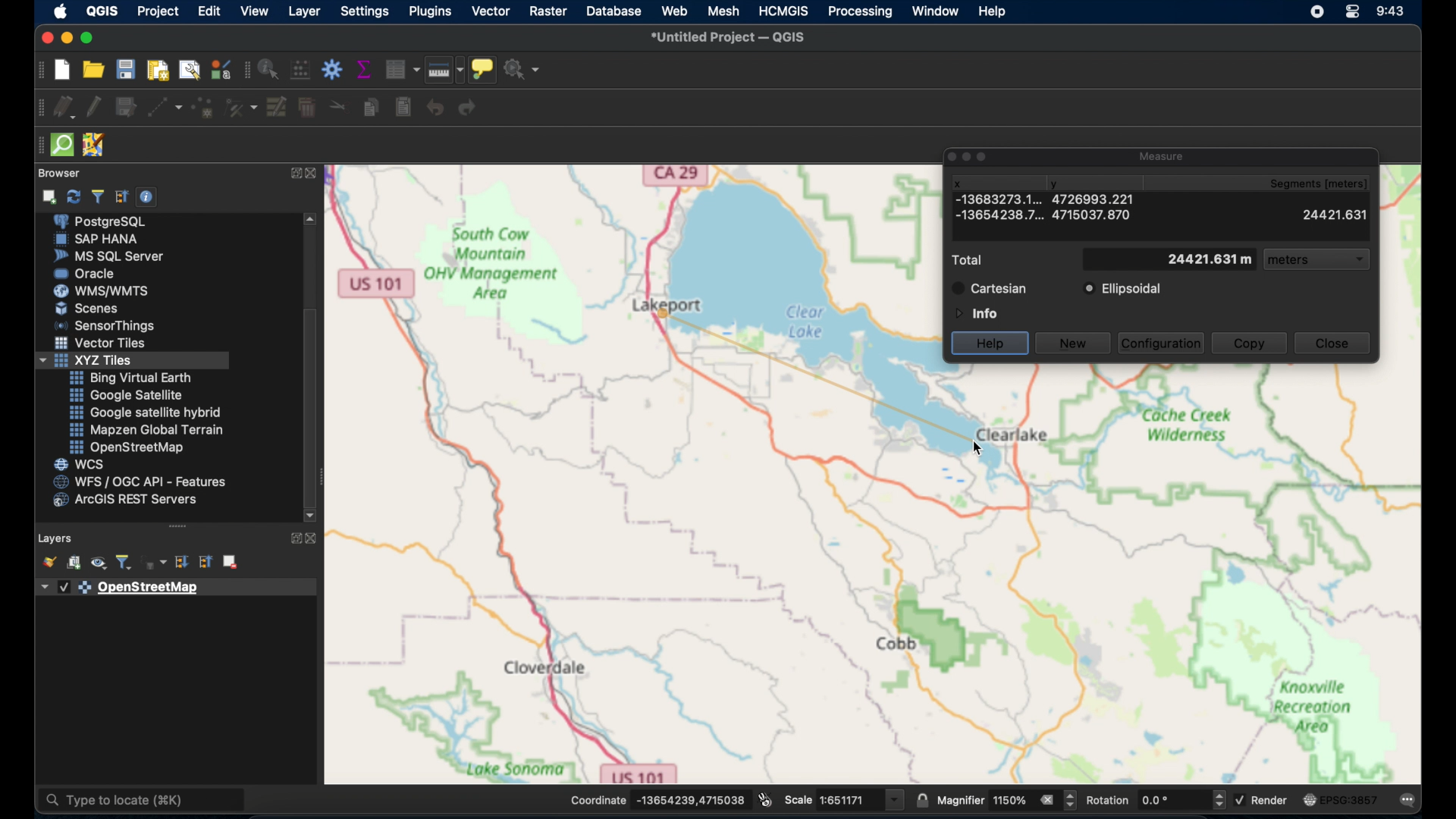  Describe the element at coordinates (242, 108) in the screenshot. I see `style manager` at that location.